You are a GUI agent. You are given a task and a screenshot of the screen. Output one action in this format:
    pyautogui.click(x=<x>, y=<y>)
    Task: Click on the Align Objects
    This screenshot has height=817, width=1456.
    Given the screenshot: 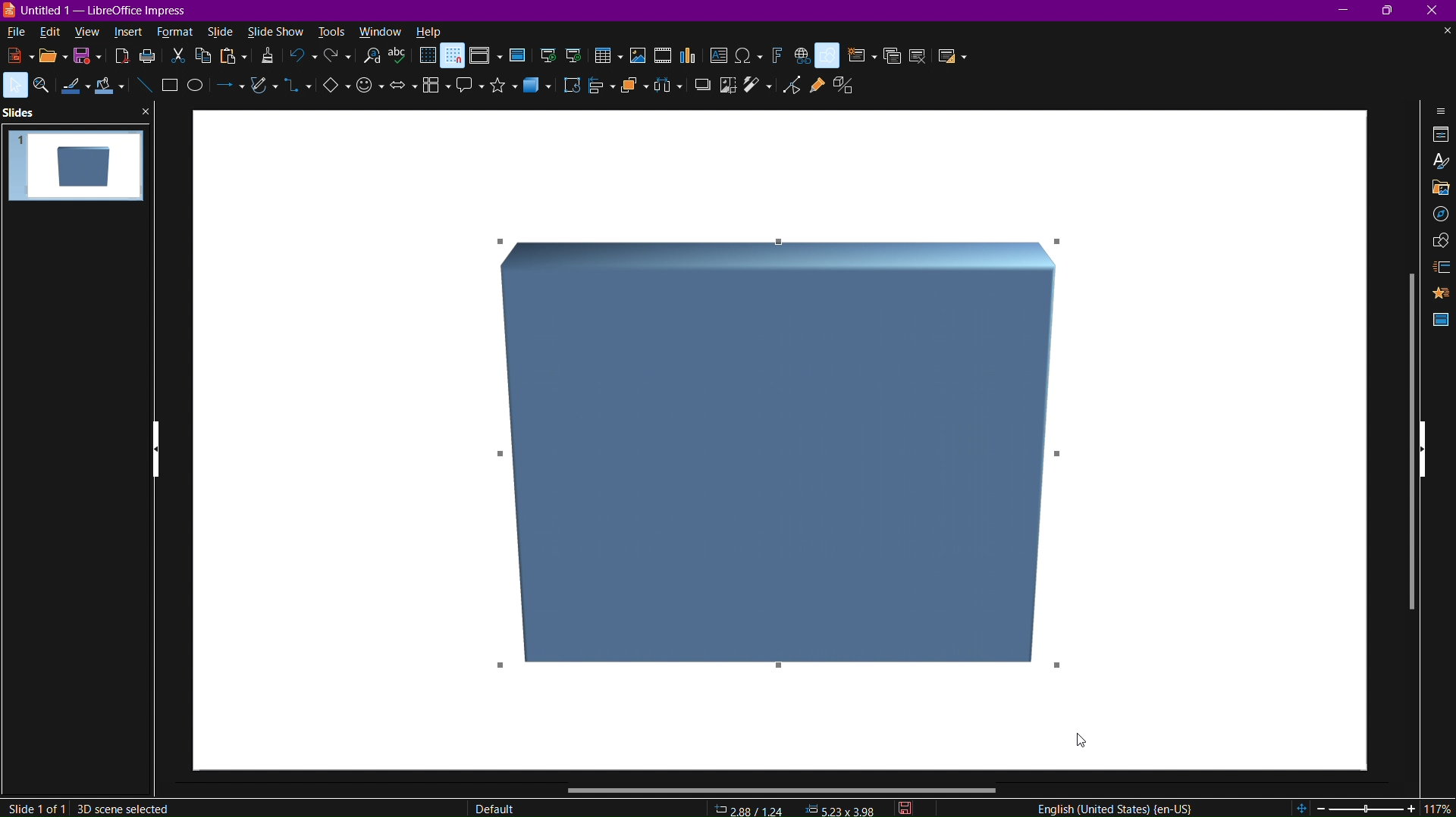 What is the action you would take?
    pyautogui.click(x=598, y=91)
    